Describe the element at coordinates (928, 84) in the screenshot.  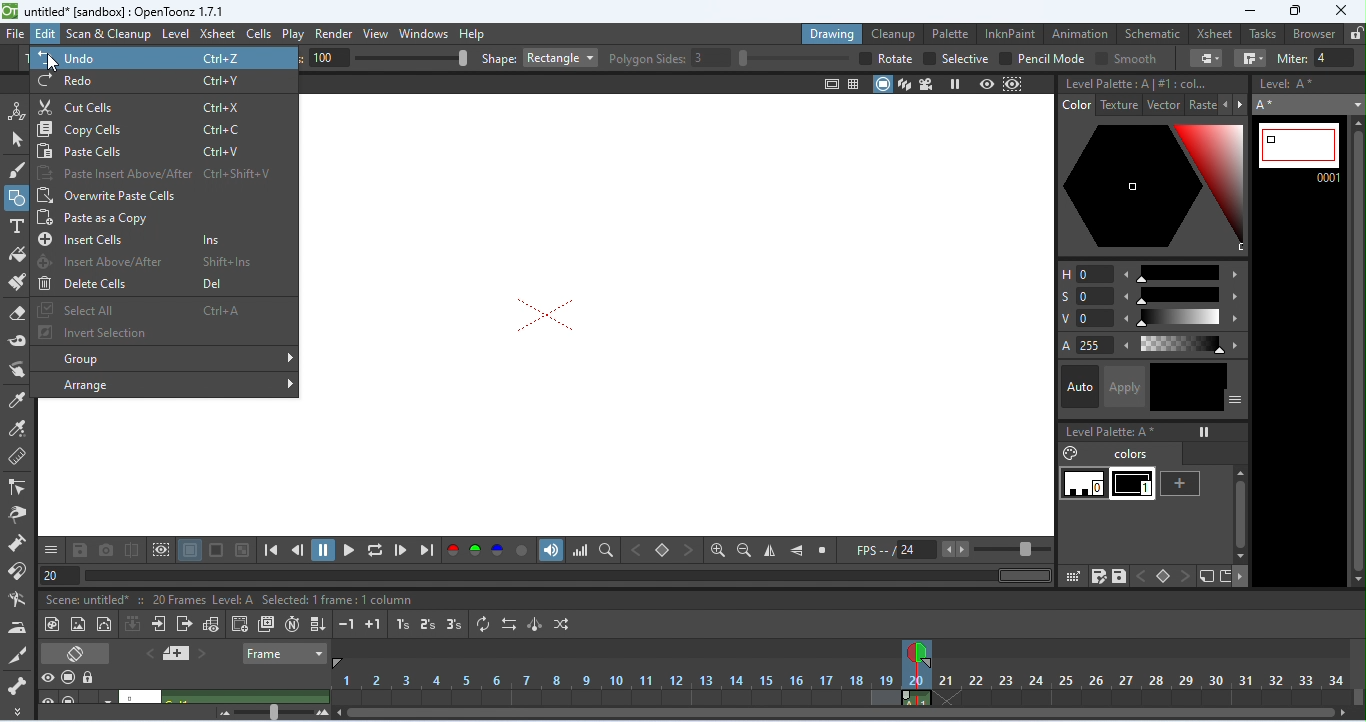
I see `camera view` at that location.